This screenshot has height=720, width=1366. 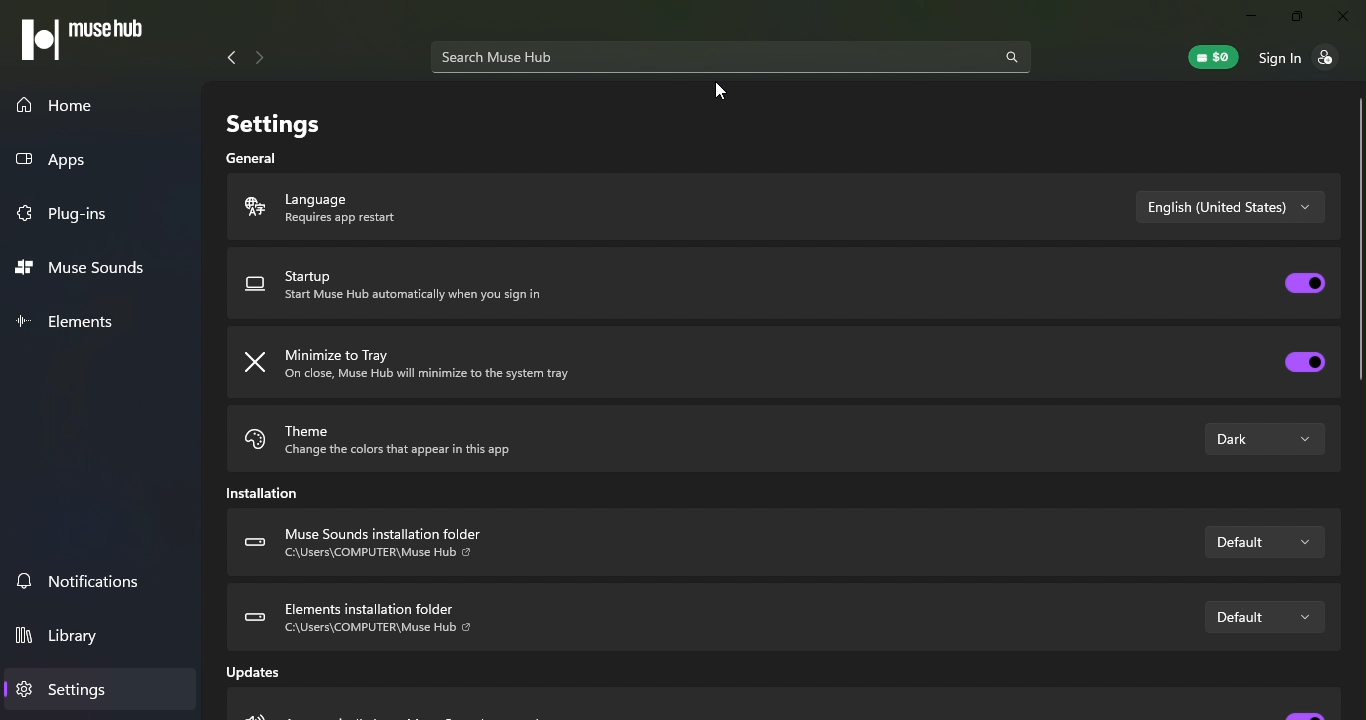 I want to click on language, so click(x=376, y=208).